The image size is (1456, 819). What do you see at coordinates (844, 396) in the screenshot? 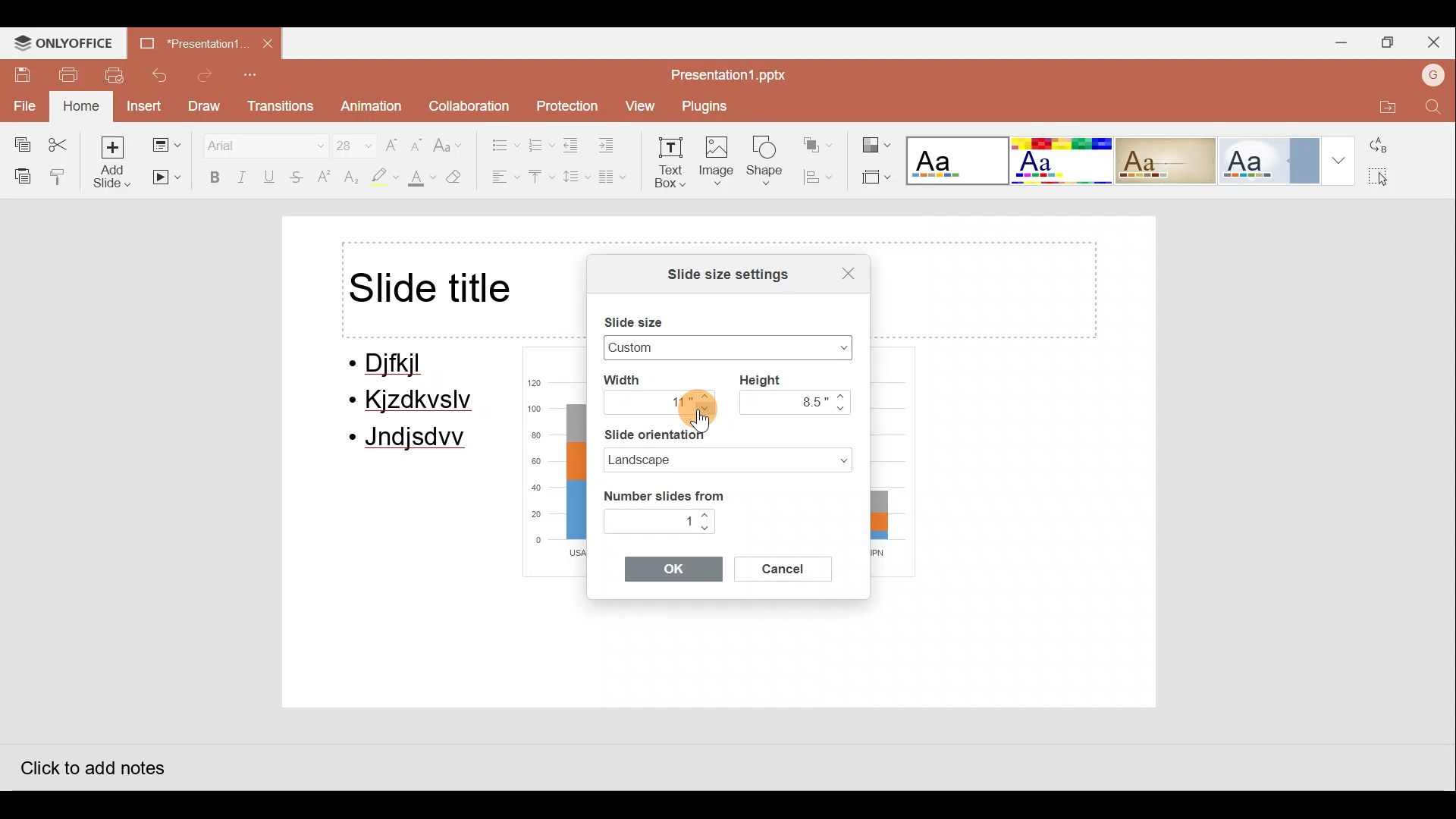
I see `Navigate up` at bounding box center [844, 396].